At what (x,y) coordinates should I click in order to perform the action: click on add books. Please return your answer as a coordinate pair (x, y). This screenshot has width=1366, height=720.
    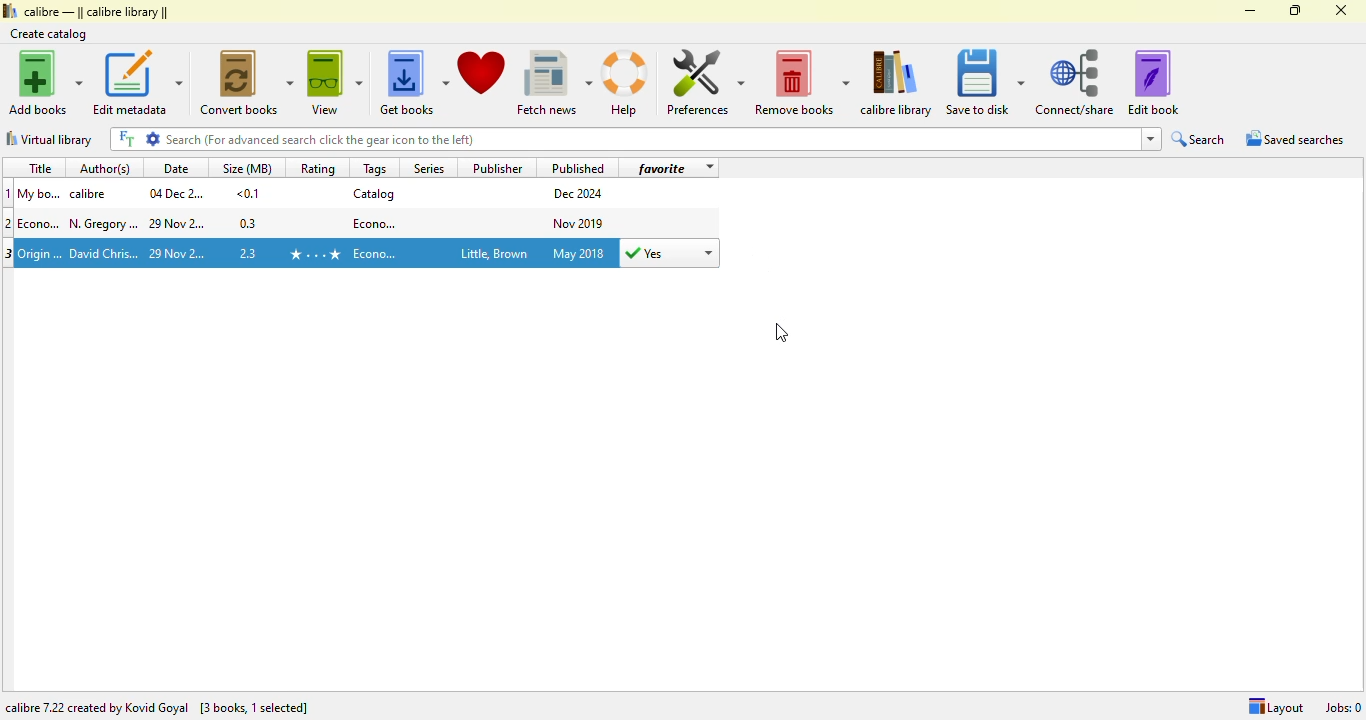
    Looking at the image, I should click on (46, 82).